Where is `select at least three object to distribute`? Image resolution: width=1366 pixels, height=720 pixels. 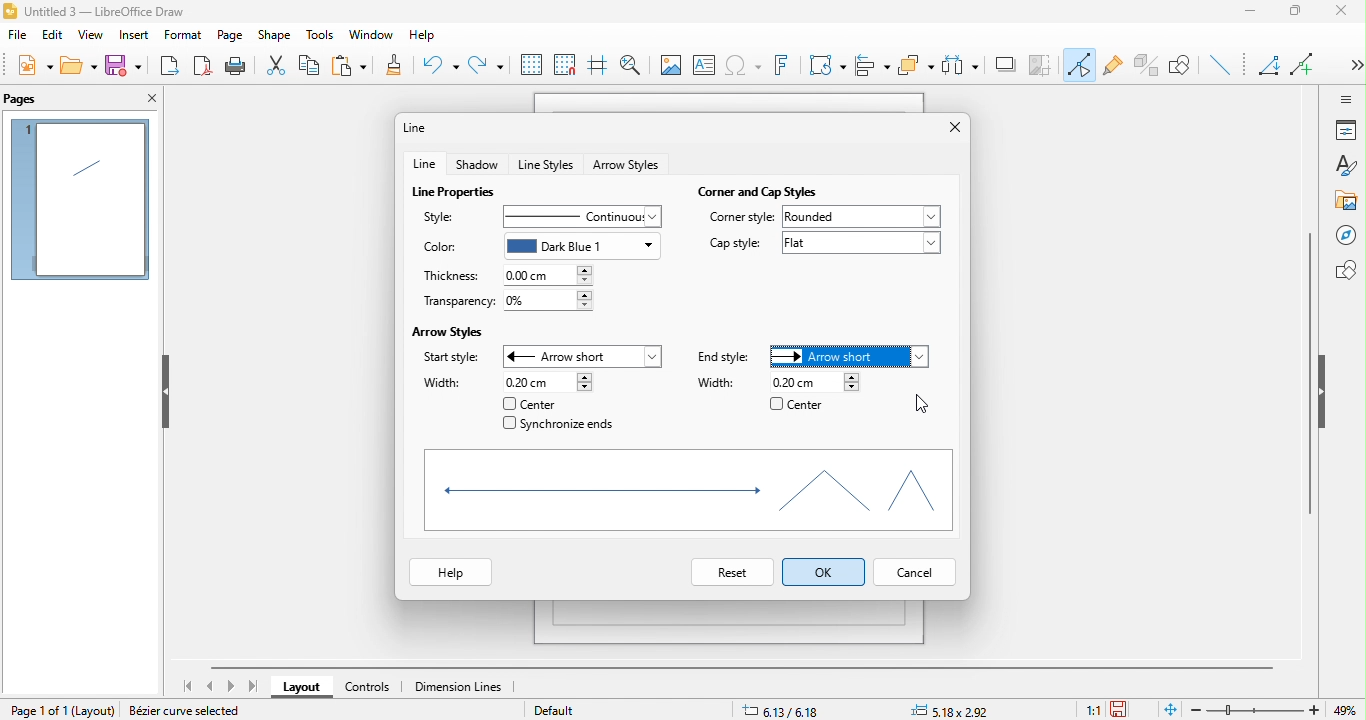 select at least three object to distribute is located at coordinates (963, 64).